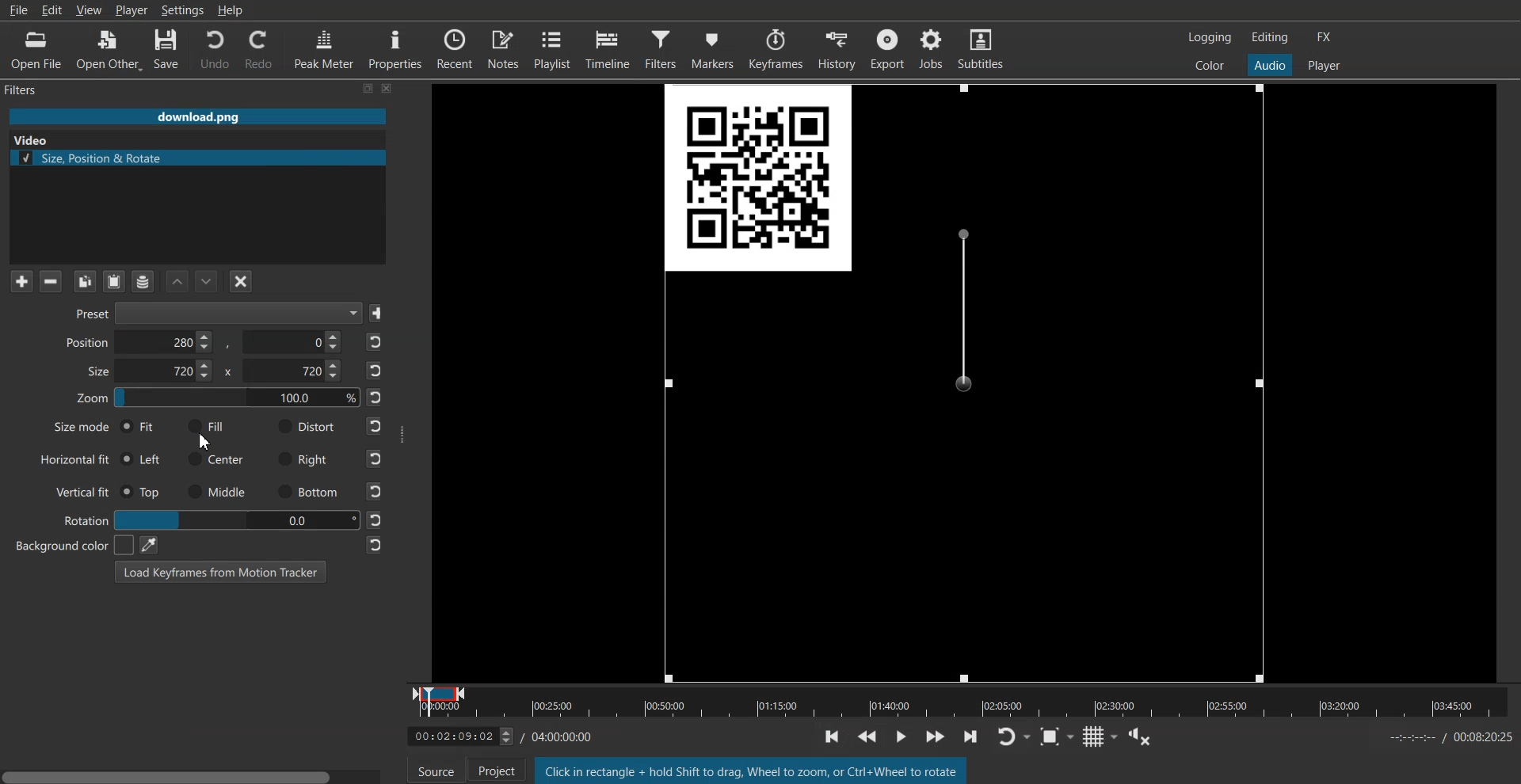 Image resolution: width=1521 pixels, height=784 pixels. What do you see at coordinates (829, 737) in the screenshot?
I see `Toggle player lopping` at bounding box center [829, 737].